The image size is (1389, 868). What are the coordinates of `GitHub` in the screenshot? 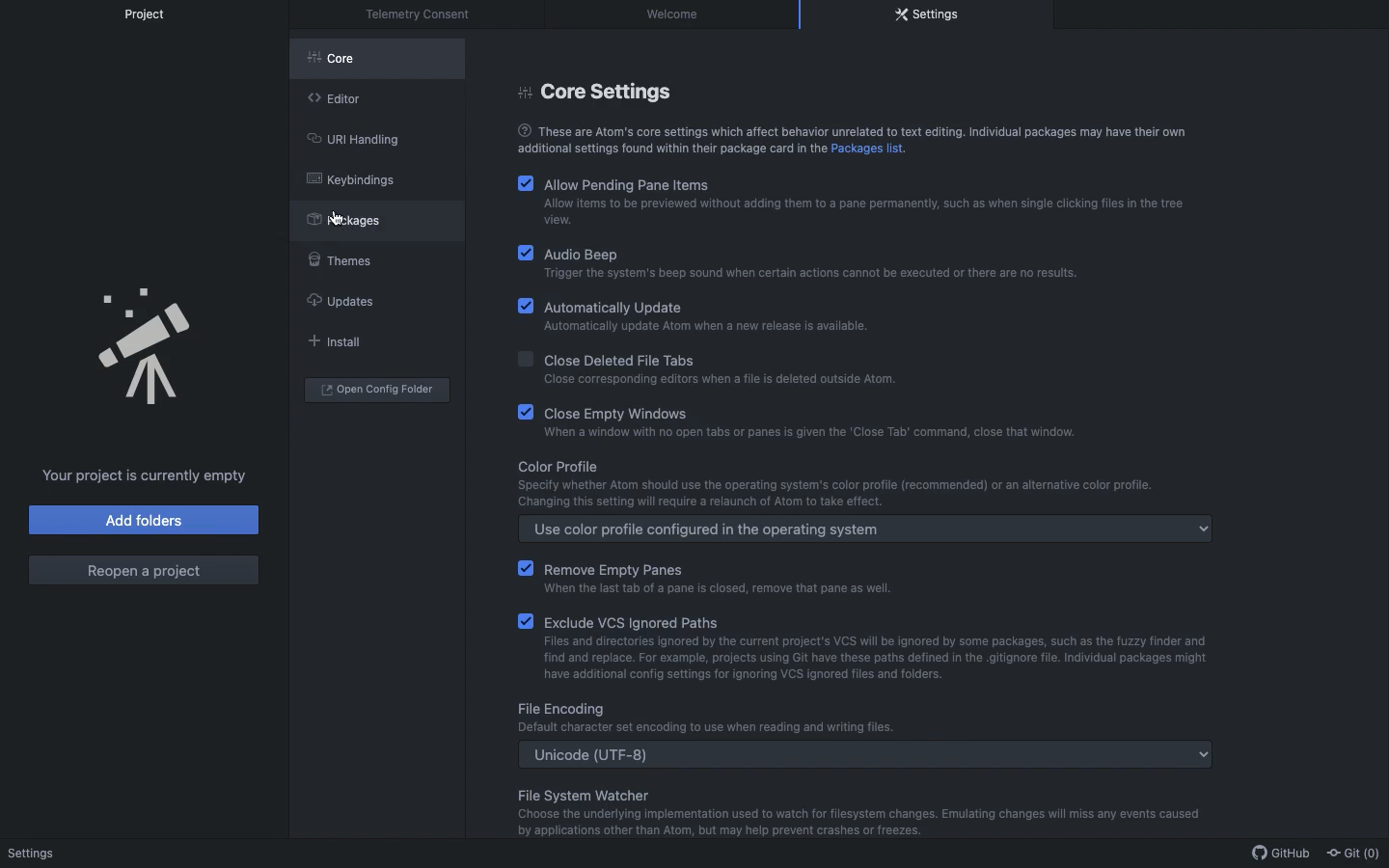 It's located at (1276, 854).